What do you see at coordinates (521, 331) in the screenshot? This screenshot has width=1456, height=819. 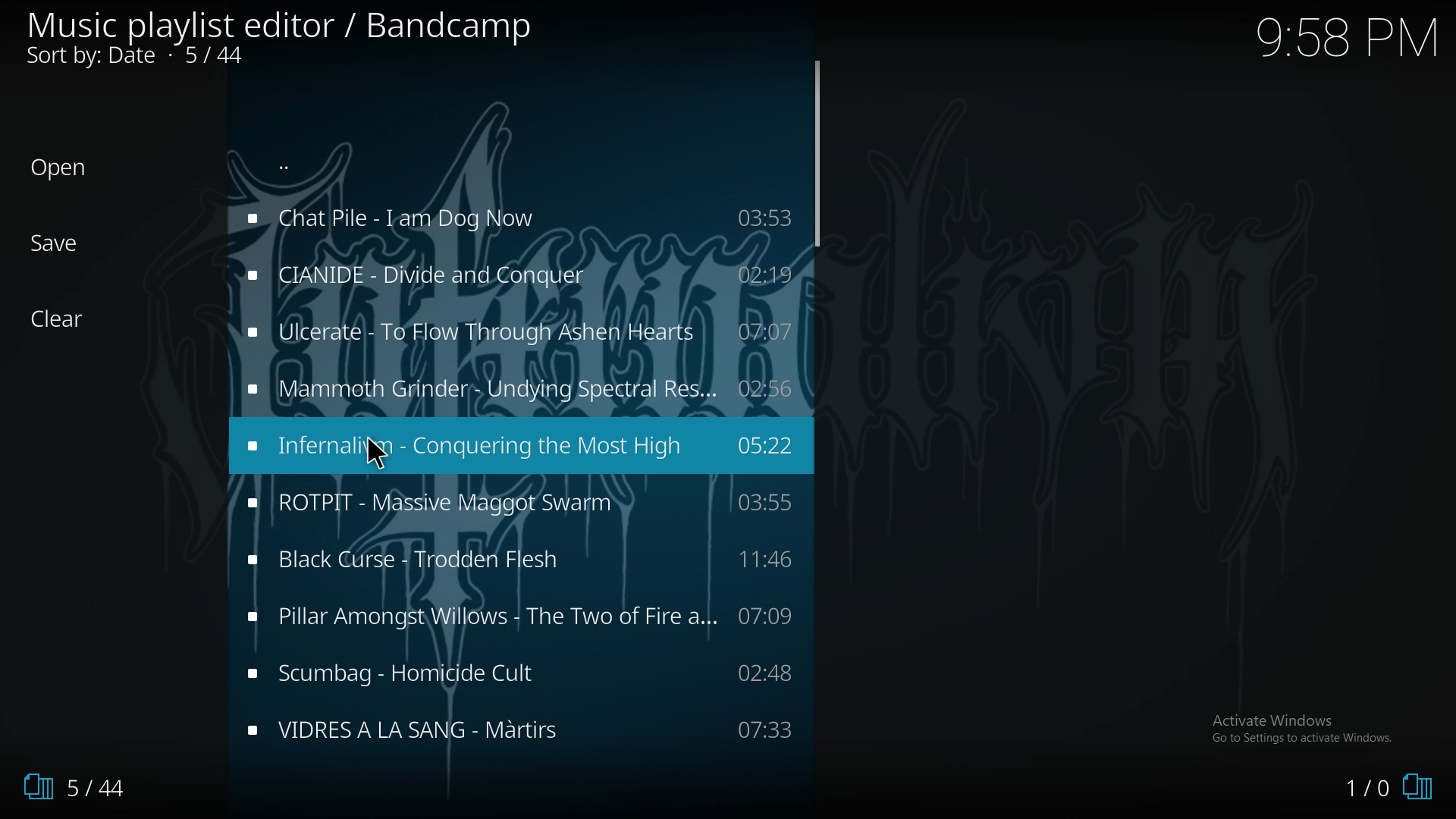 I see `music` at bounding box center [521, 331].